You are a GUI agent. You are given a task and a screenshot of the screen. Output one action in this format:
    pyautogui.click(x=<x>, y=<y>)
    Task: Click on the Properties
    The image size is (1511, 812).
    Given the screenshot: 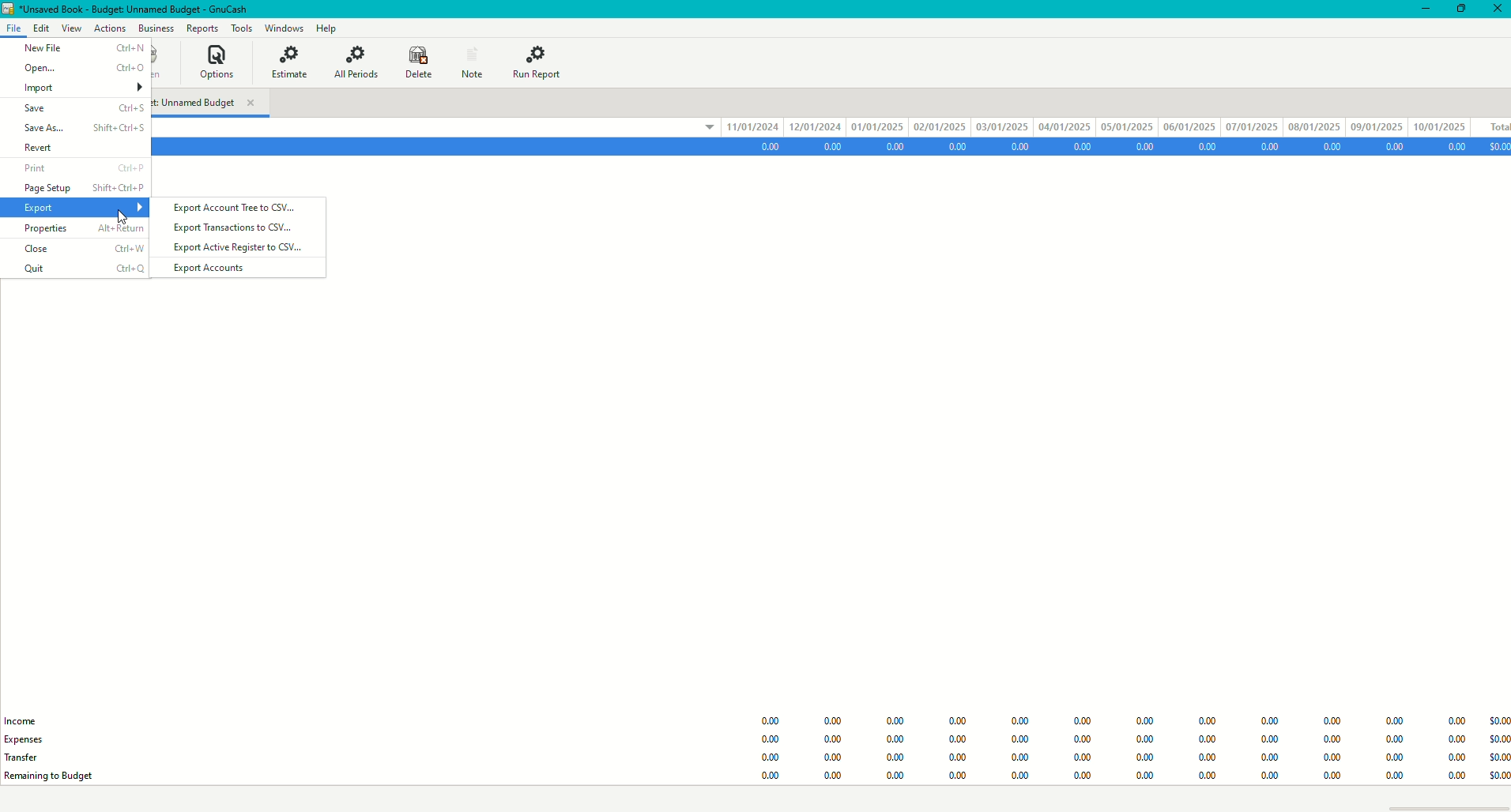 What is the action you would take?
    pyautogui.click(x=78, y=229)
    